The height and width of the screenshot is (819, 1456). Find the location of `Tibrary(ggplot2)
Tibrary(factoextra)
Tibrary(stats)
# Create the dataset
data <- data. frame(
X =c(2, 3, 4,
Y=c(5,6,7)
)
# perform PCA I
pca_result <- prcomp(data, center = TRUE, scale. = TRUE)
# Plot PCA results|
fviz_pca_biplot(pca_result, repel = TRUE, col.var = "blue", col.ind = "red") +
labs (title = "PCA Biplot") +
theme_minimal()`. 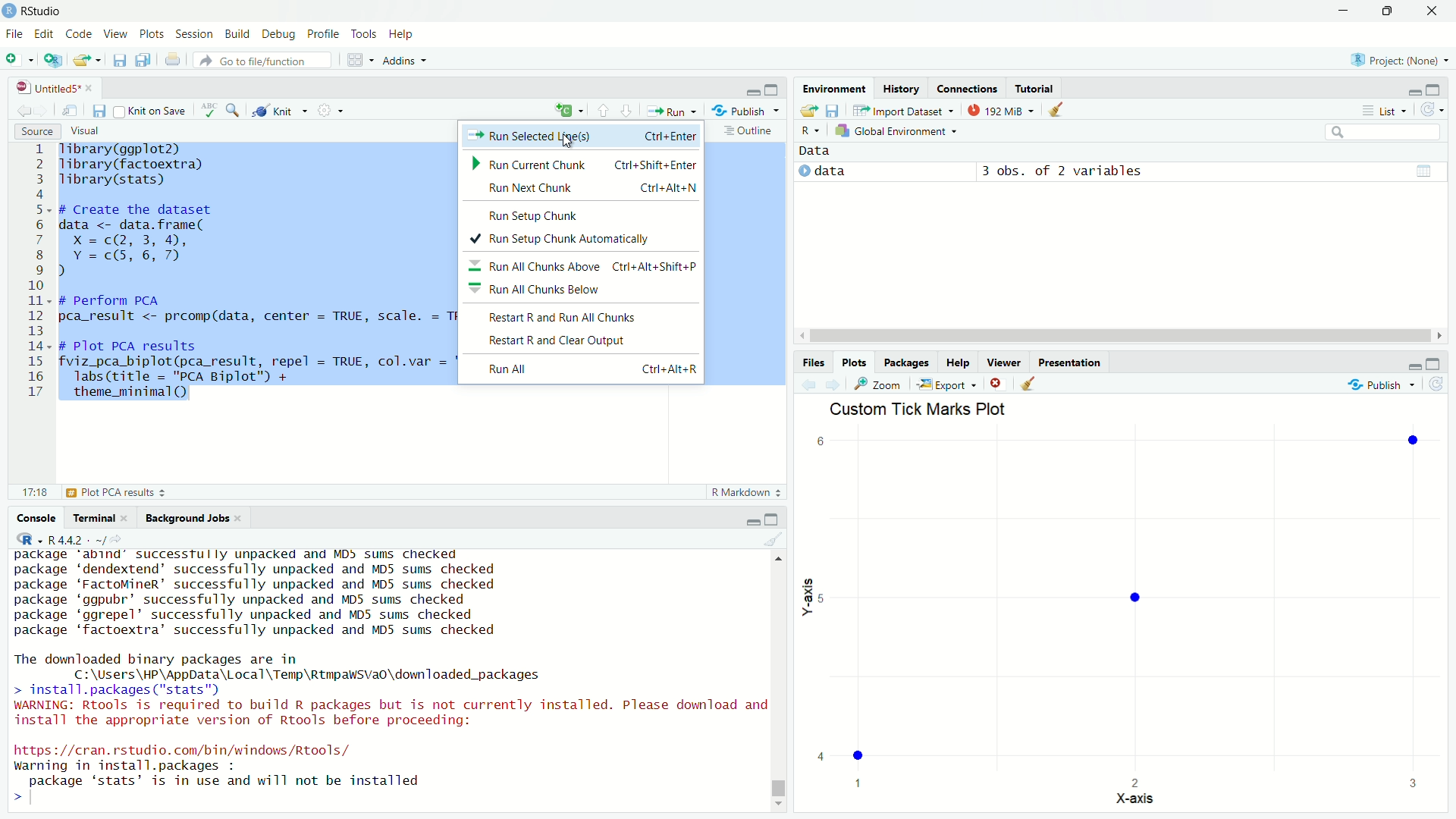

Tibrary(ggplot2)
Tibrary(factoextra)
Tibrary(stats)
# Create the dataset
data <- data. frame(
X =c(2, 3, 4,
Y=c(5,6,7)
)
# perform PCA I
pca_result <- prcomp(data, center = TRUE, scale. = TRUE)
# Plot PCA results|
fviz_pca_biplot(pca_result, repel = TRUE, col.var = "blue", col.ind = "red") +
labs (title = "PCA Biplot") +
theme_minimal() is located at coordinates (253, 271).